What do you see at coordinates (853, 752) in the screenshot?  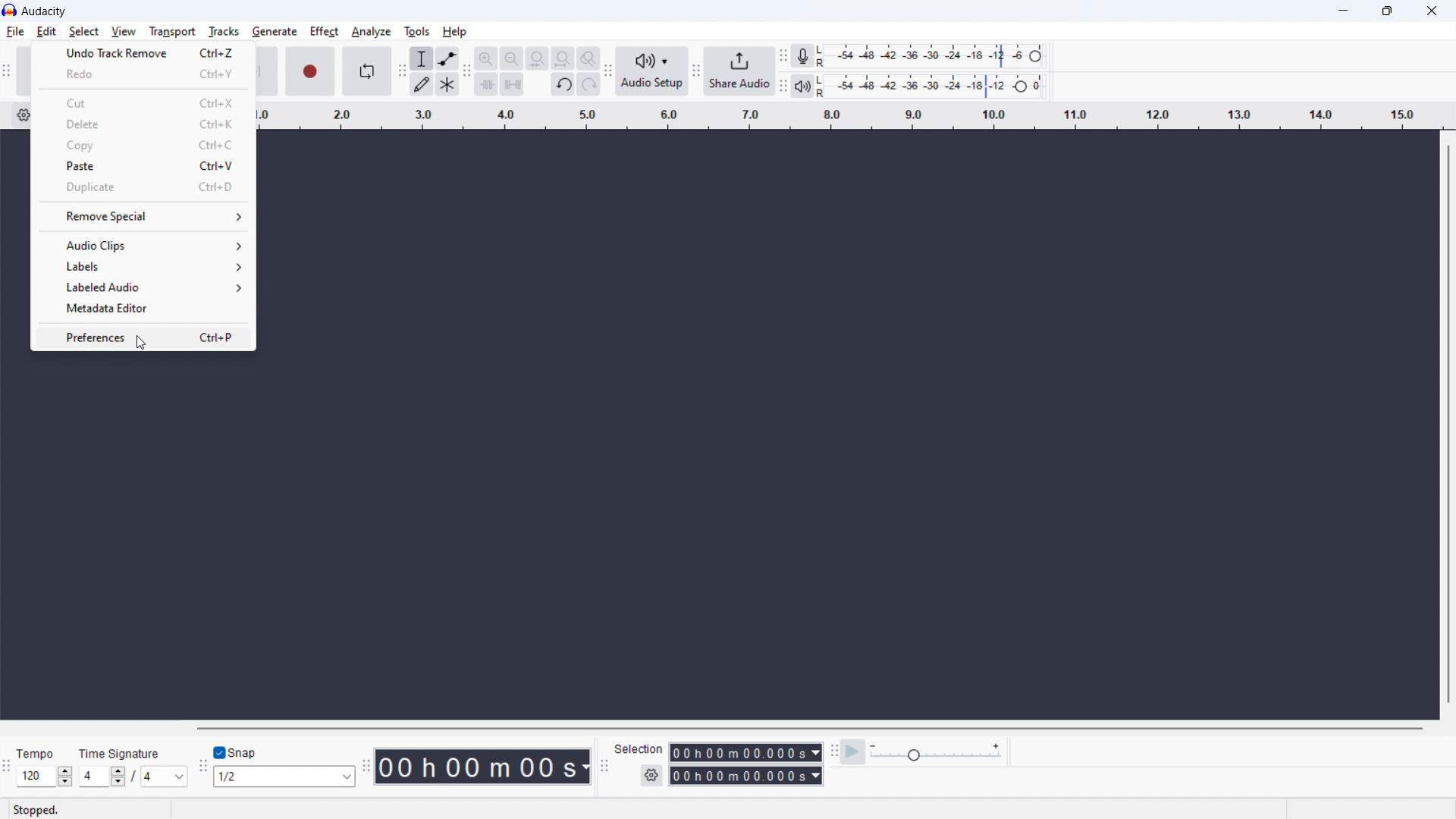 I see `play at speed` at bounding box center [853, 752].